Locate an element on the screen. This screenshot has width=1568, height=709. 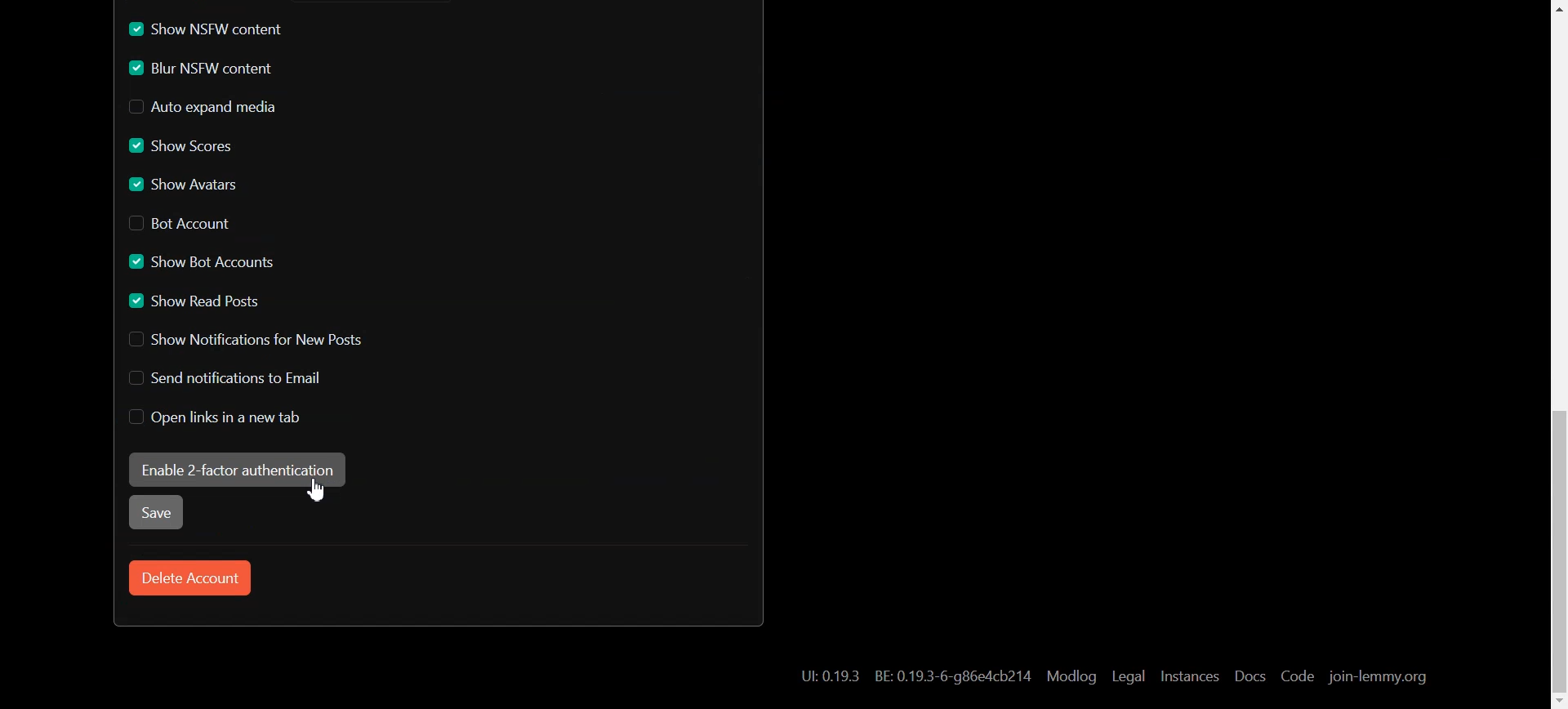
Enable Show NSFW content is located at coordinates (229, 29).